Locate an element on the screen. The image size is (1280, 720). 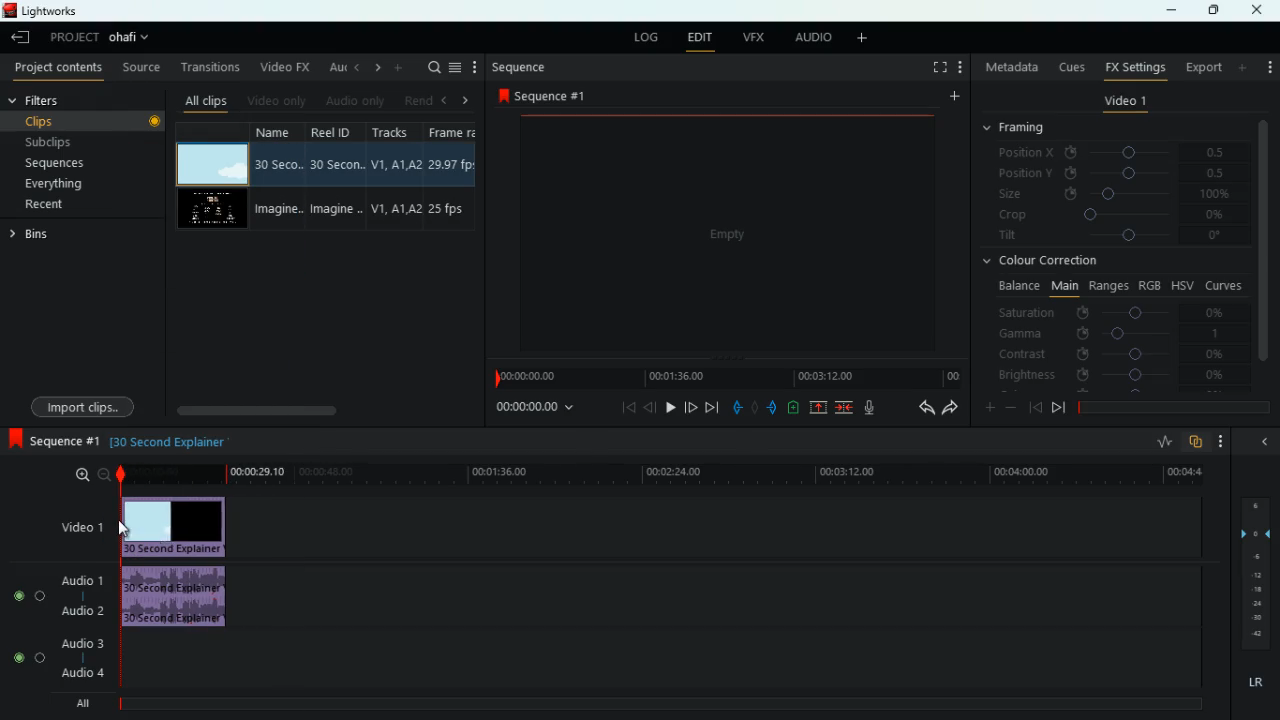
maximize is located at coordinates (1210, 11).